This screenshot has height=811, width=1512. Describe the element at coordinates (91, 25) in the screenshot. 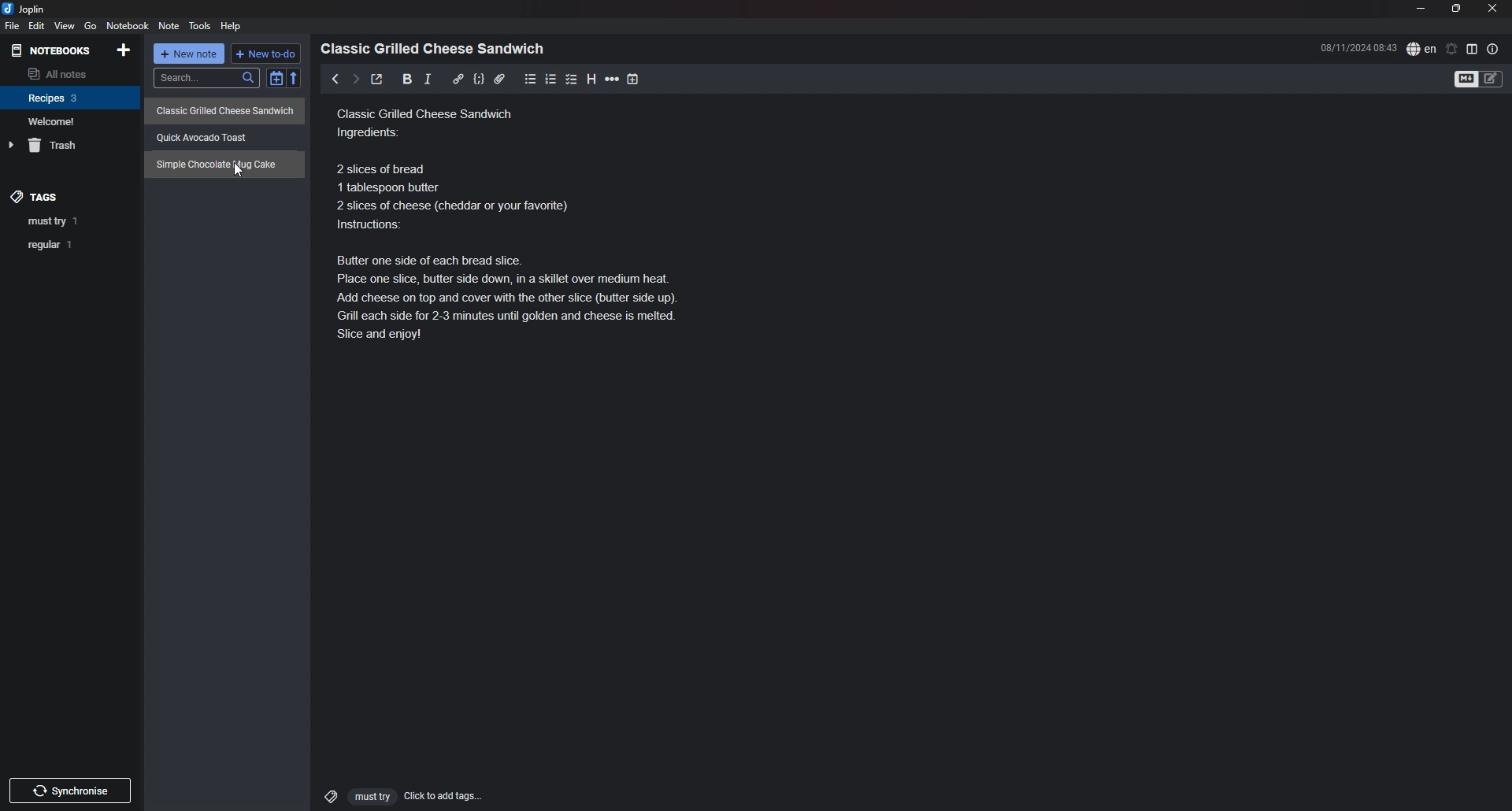

I see `go` at that location.